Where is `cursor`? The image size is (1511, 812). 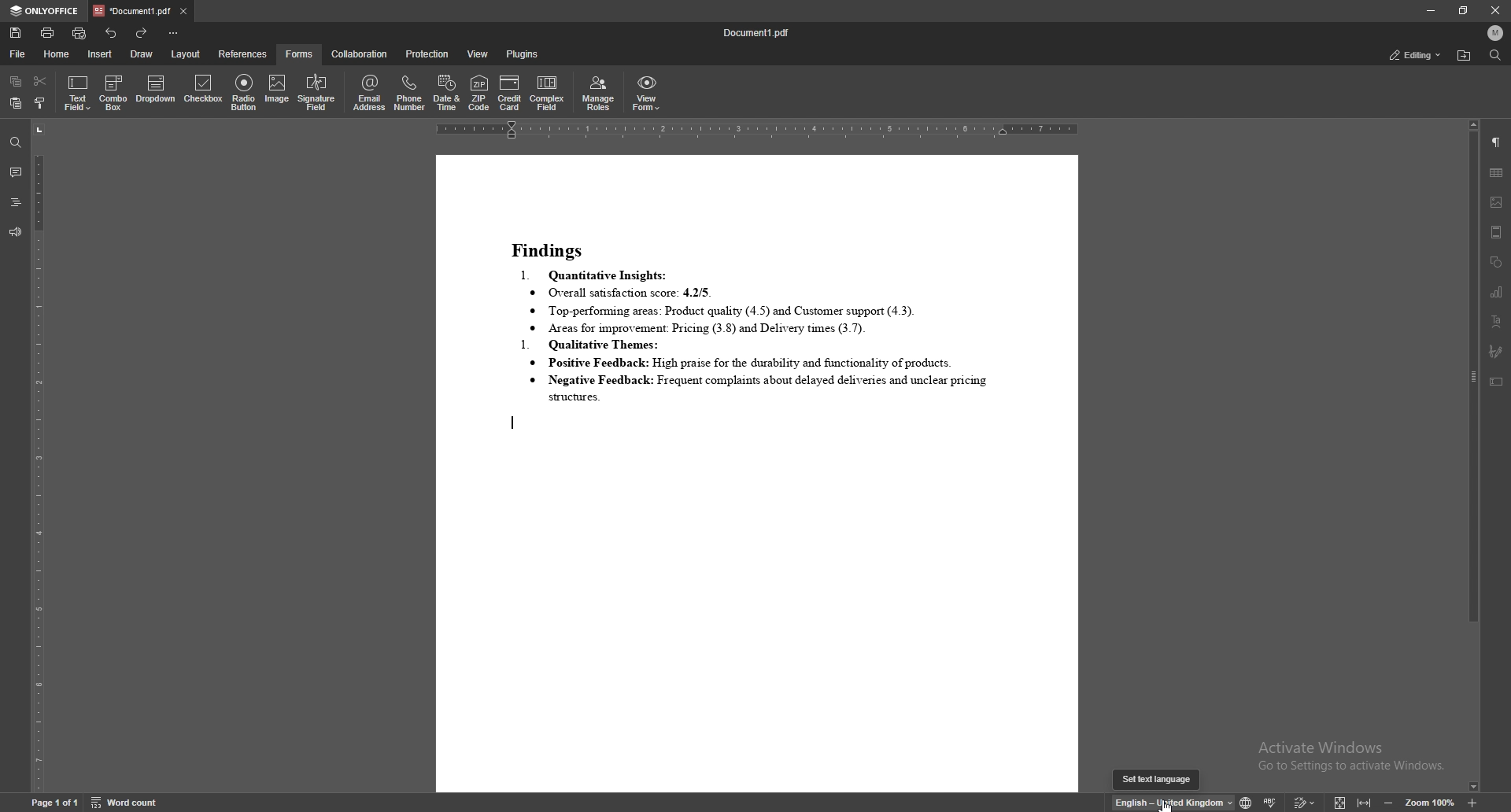
cursor is located at coordinates (1166, 806).